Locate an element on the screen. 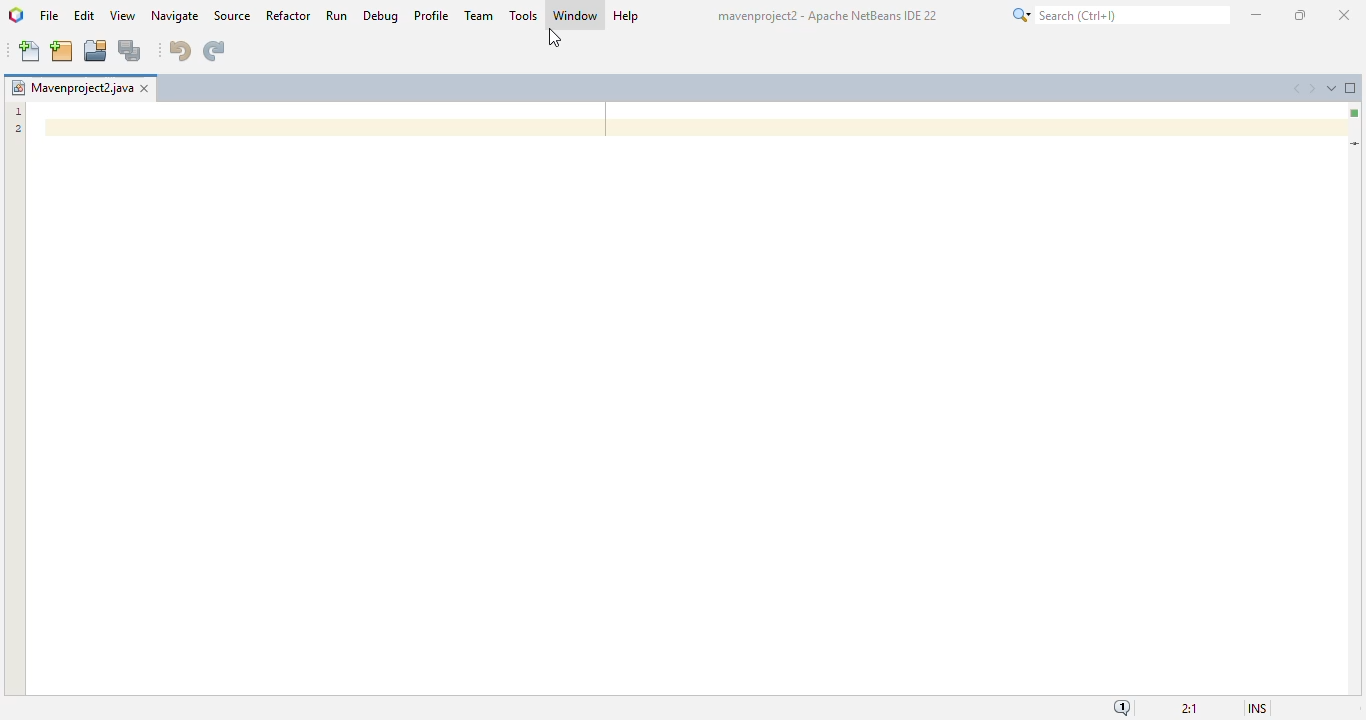  scroll documents right is located at coordinates (1313, 89).